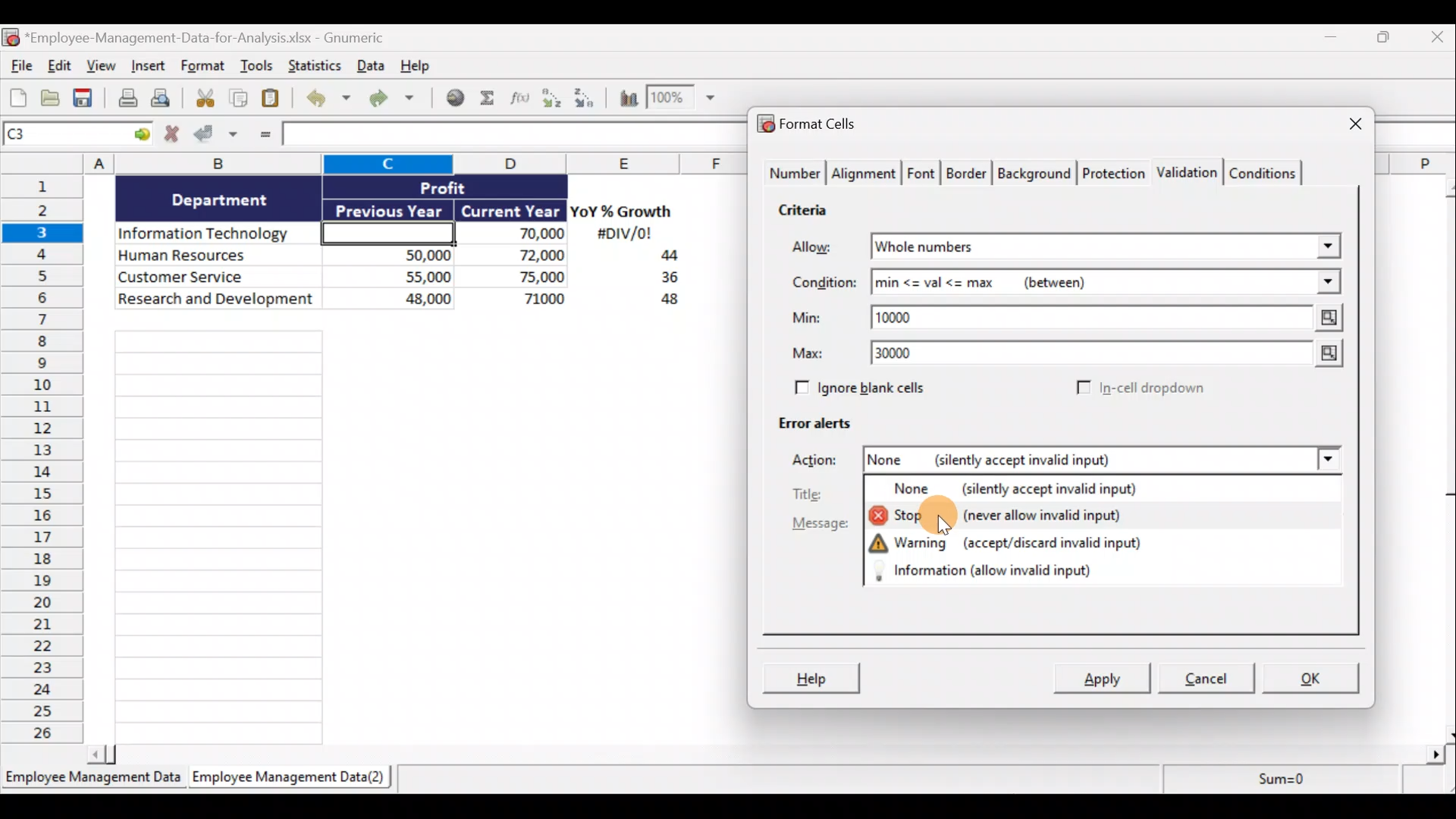 This screenshot has width=1456, height=819. What do you see at coordinates (823, 283) in the screenshot?
I see `Condition` at bounding box center [823, 283].